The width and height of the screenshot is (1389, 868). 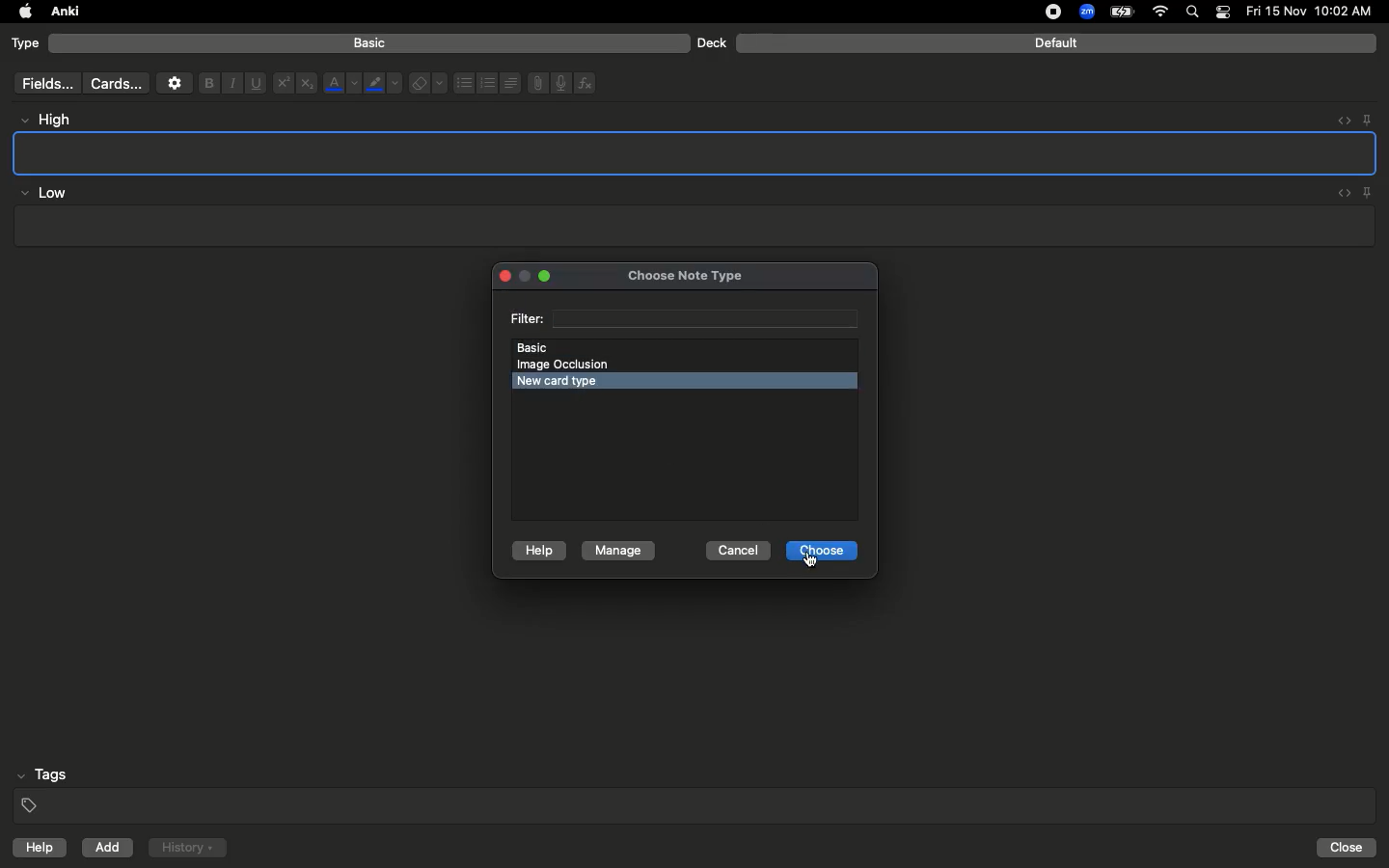 I want to click on Numbered bullets, so click(x=488, y=83).